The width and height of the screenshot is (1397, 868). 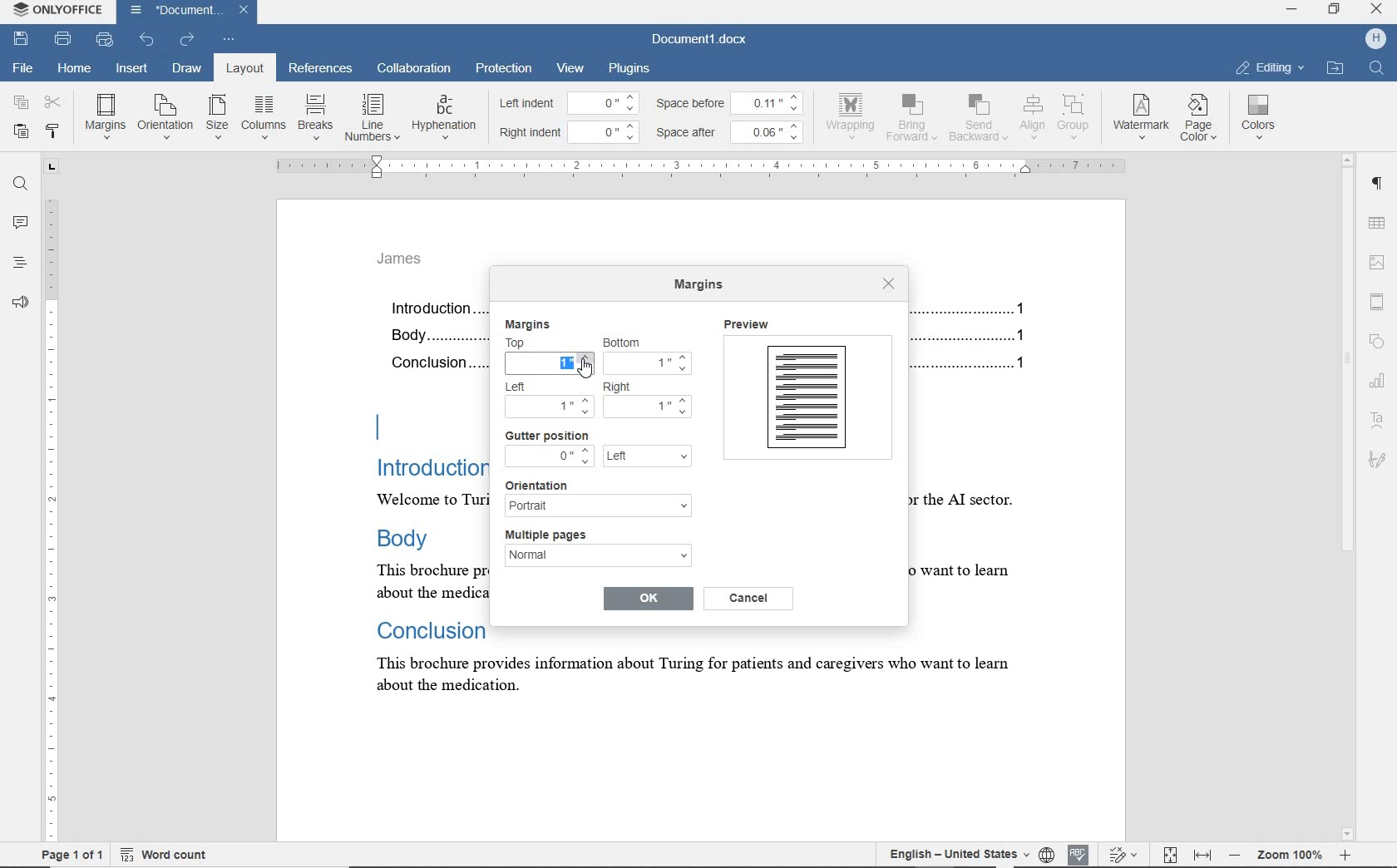 What do you see at coordinates (1337, 11) in the screenshot?
I see `RESTORE DOWN` at bounding box center [1337, 11].